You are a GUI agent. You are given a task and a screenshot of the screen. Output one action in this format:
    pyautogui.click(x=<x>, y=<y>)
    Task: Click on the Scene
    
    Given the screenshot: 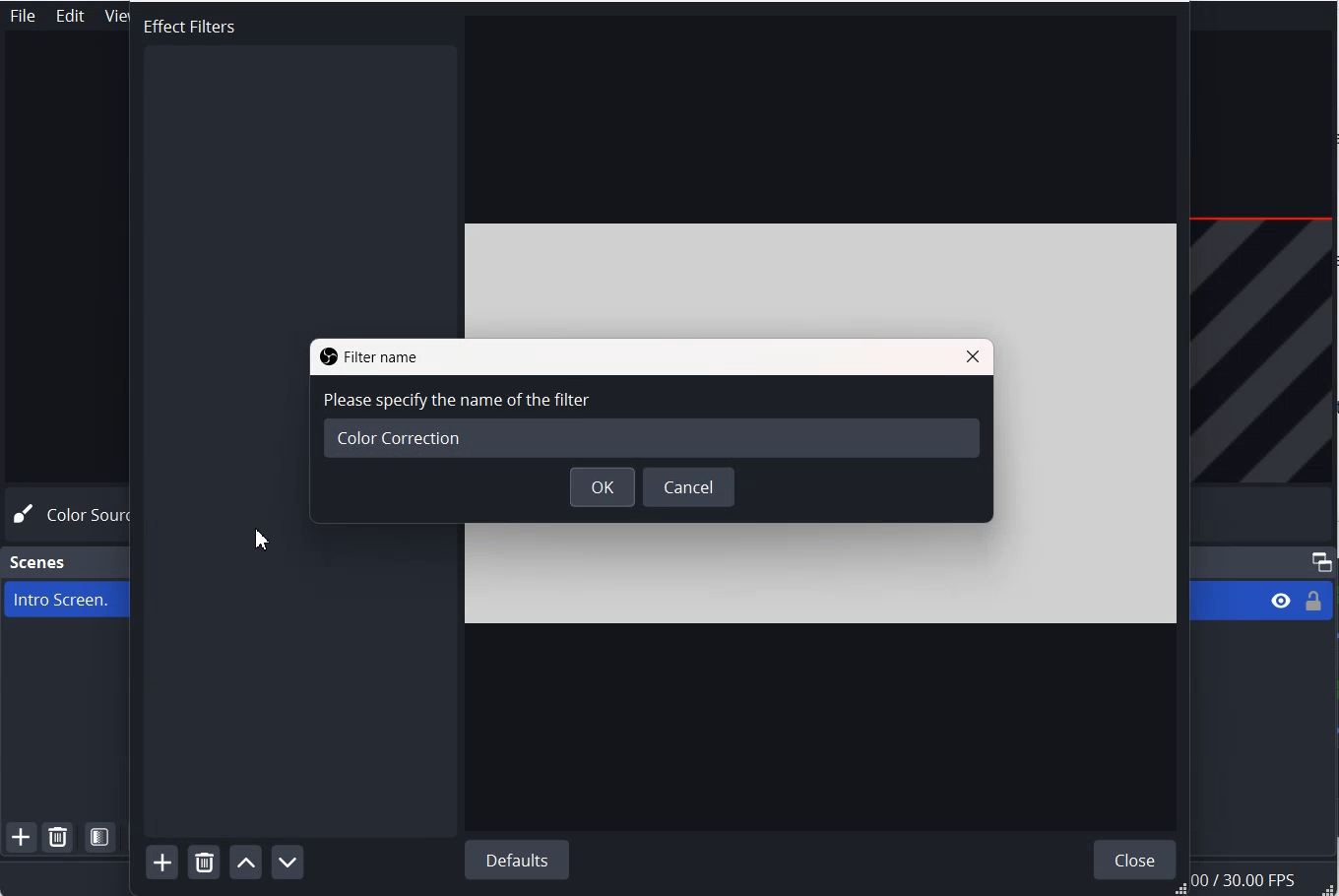 What is the action you would take?
    pyautogui.click(x=39, y=562)
    